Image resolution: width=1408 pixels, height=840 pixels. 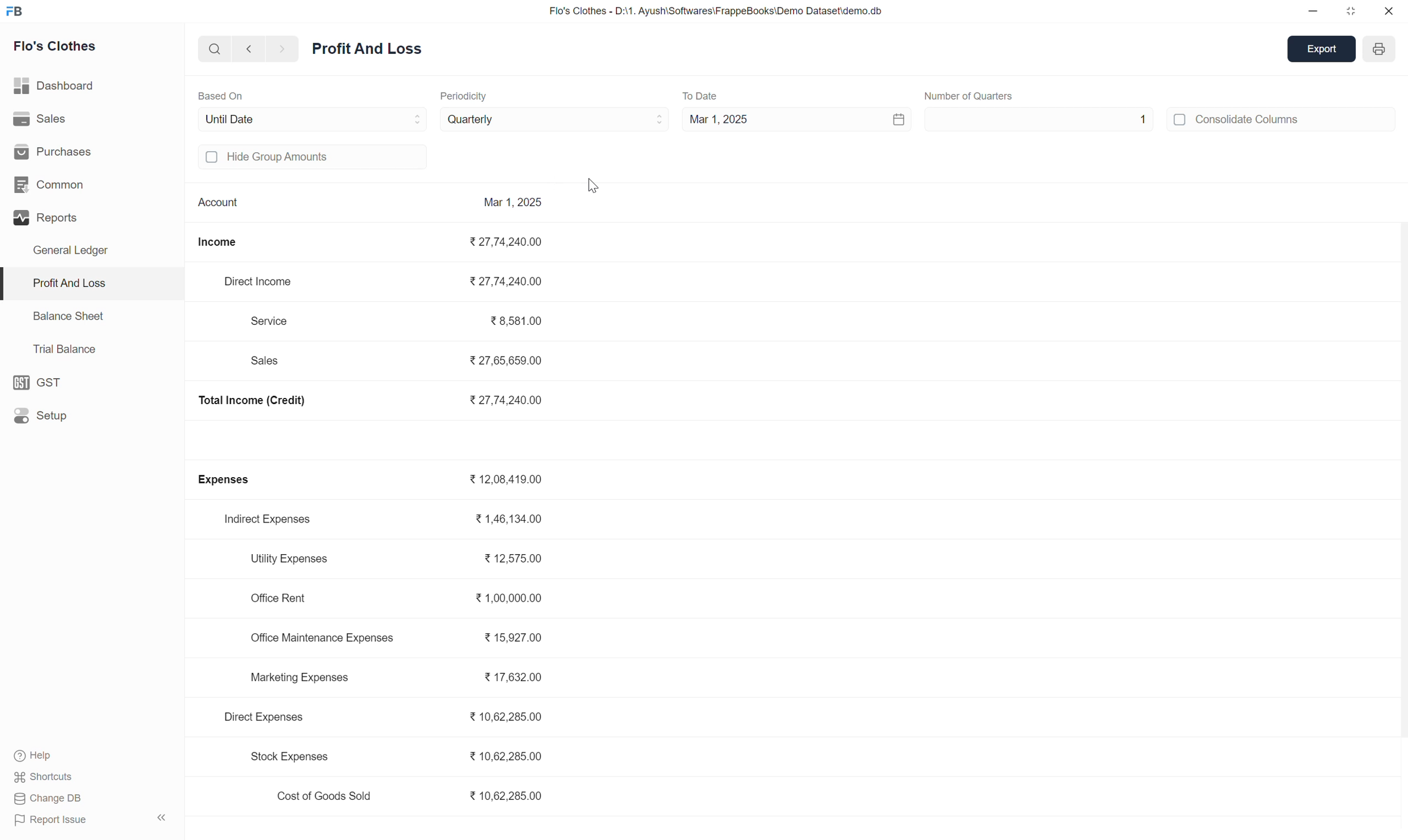 What do you see at coordinates (230, 96) in the screenshot?
I see `Based On` at bounding box center [230, 96].